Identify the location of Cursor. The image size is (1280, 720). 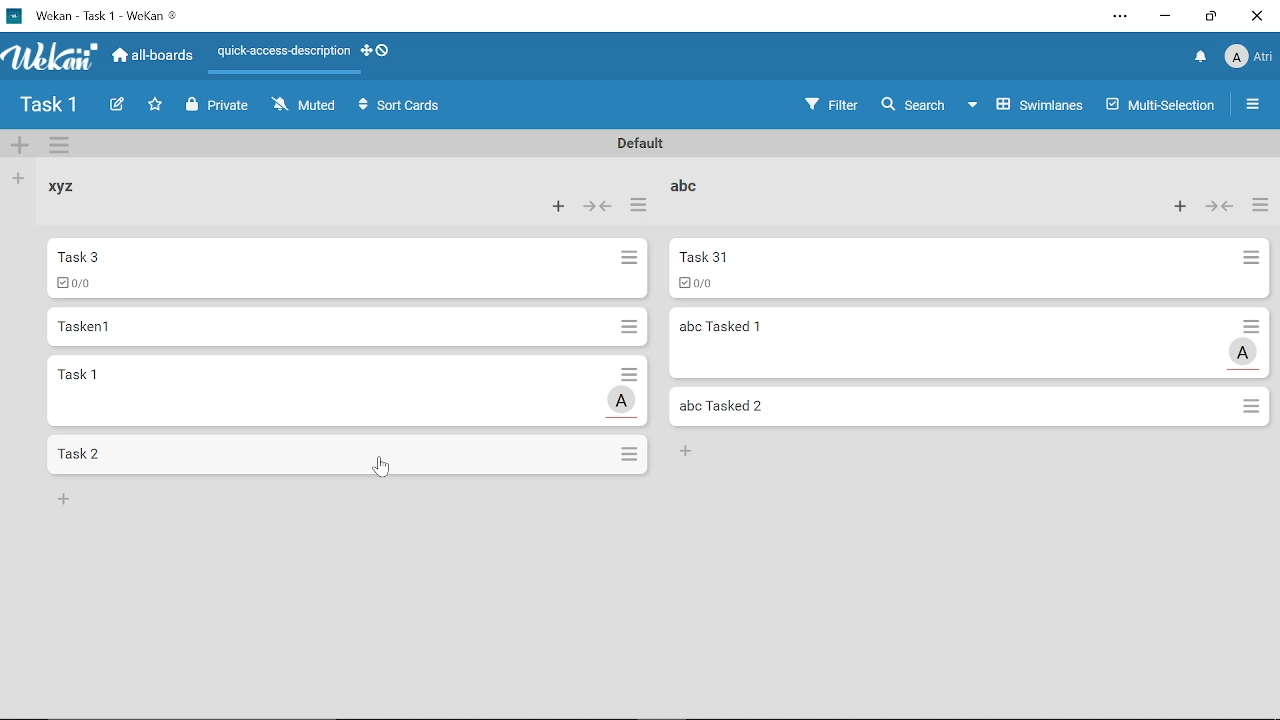
(381, 470).